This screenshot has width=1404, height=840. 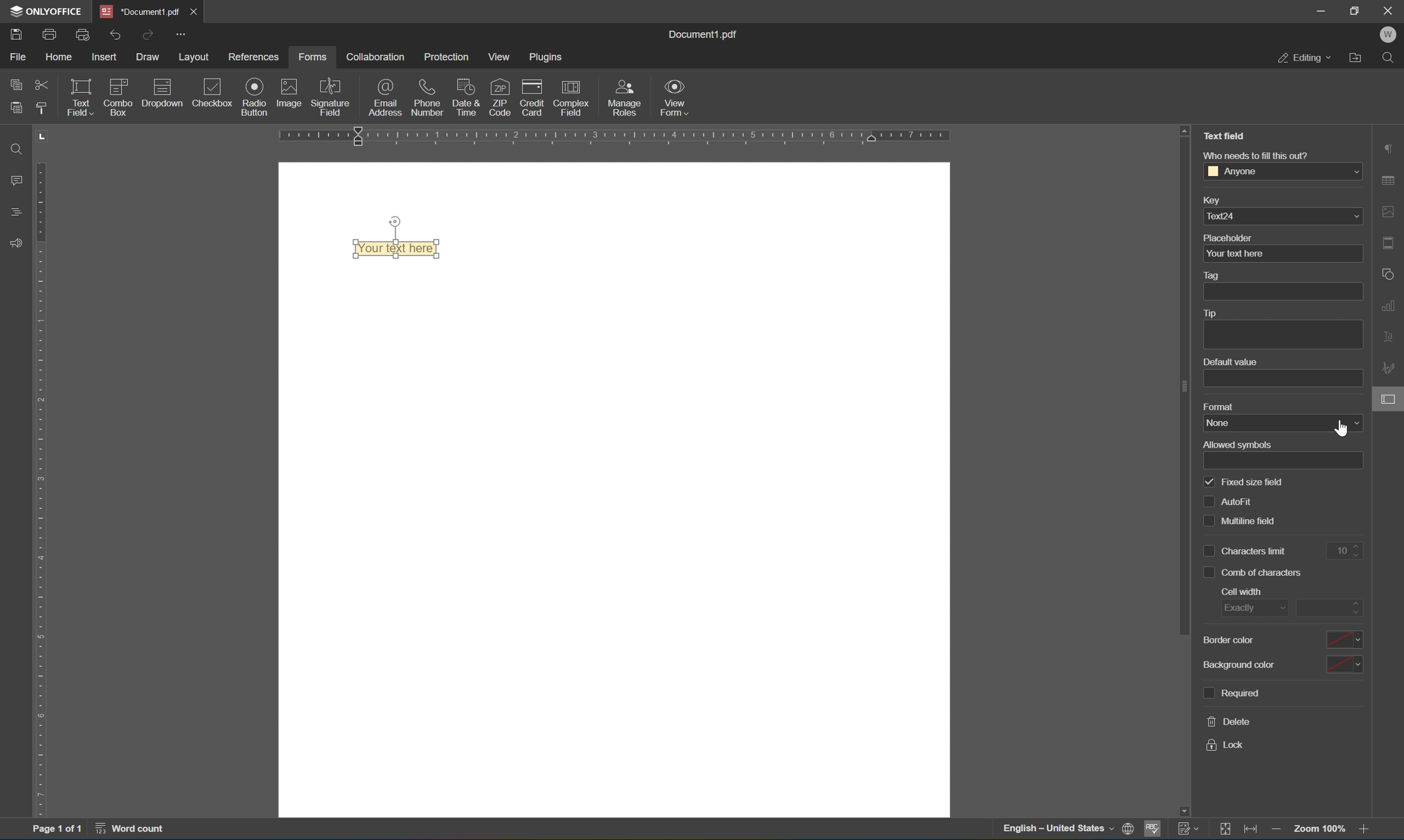 I want to click on complex field, so click(x=570, y=98).